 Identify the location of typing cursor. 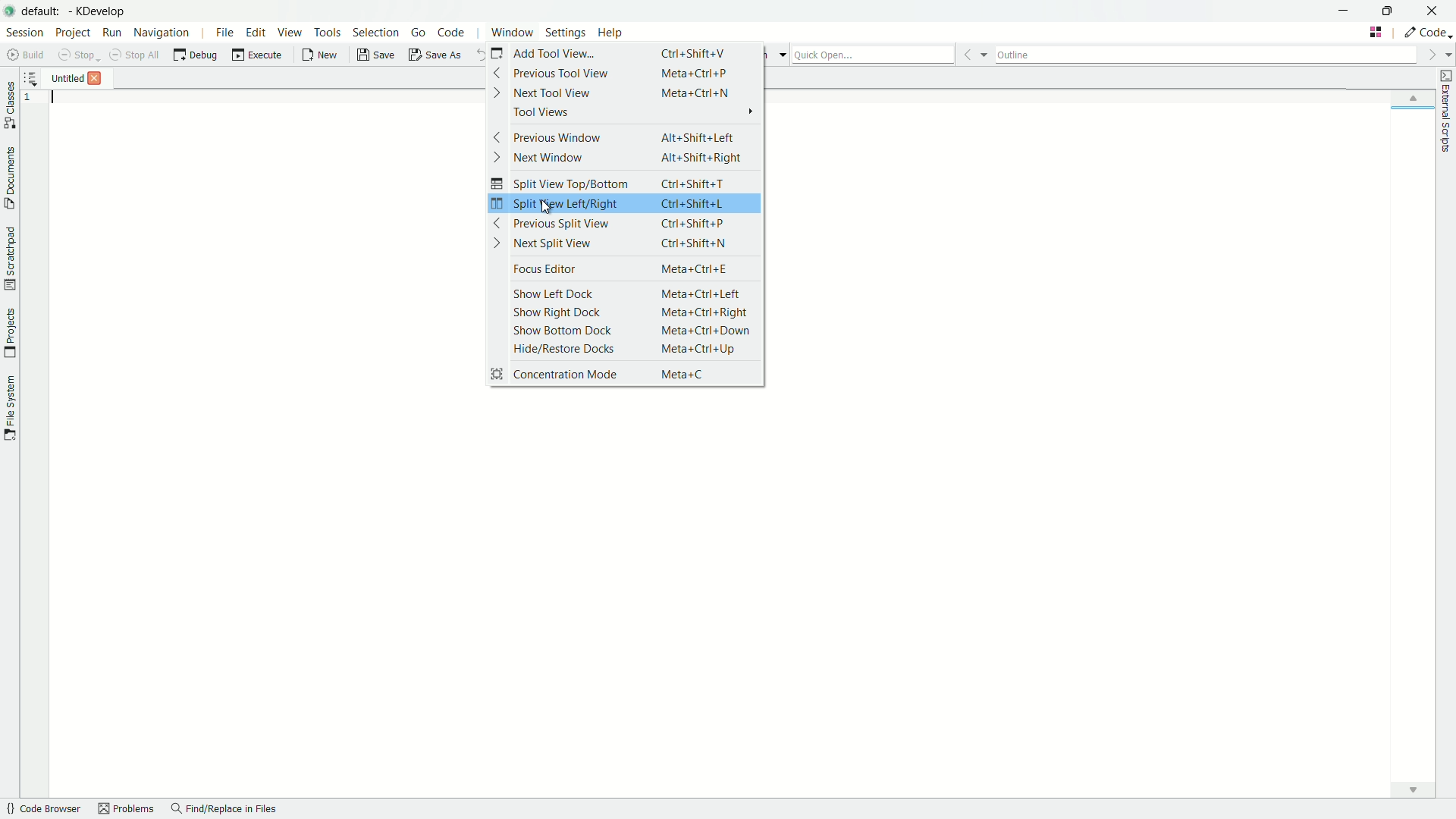
(59, 104).